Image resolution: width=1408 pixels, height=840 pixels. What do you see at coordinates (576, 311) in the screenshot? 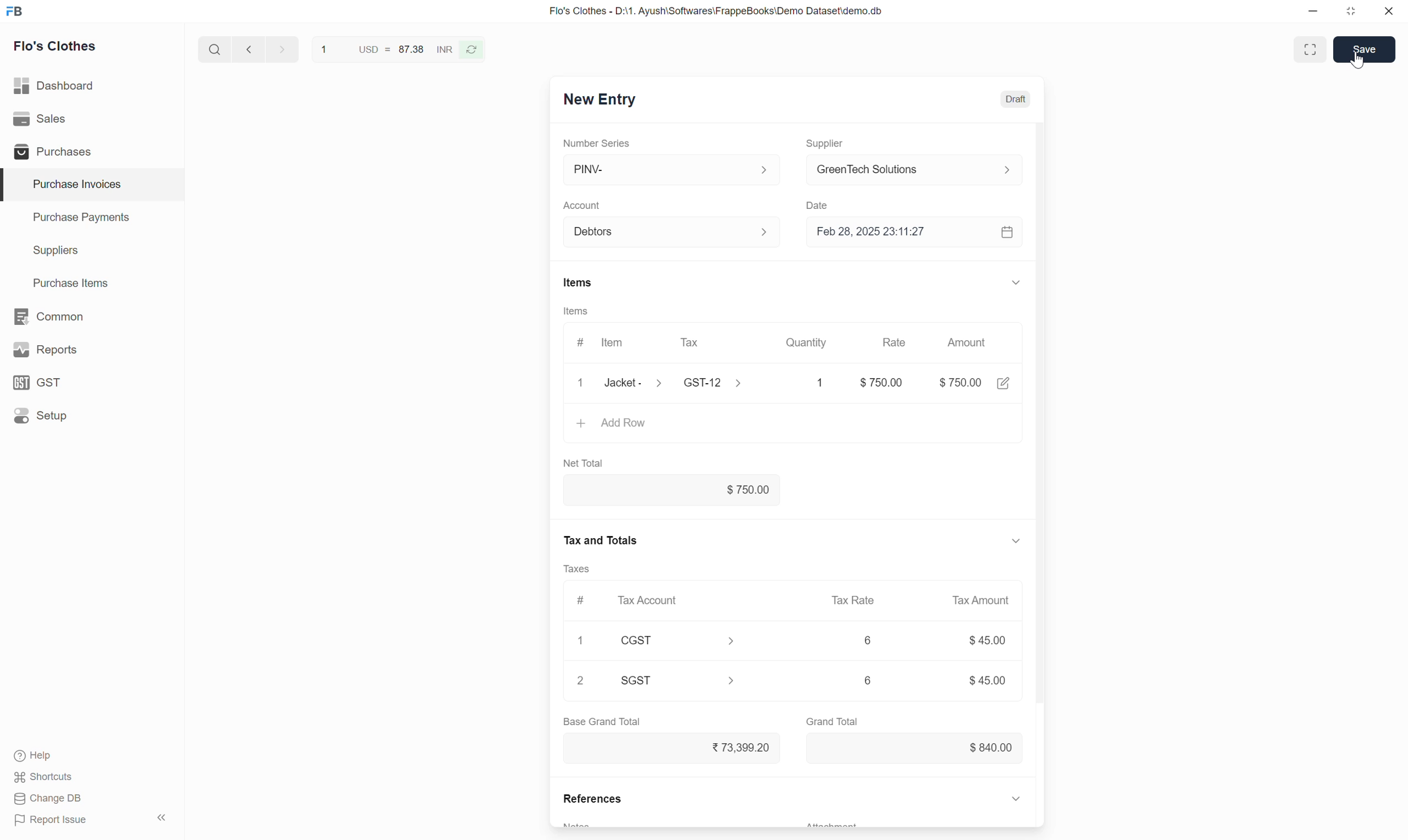
I see `Items` at bounding box center [576, 311].